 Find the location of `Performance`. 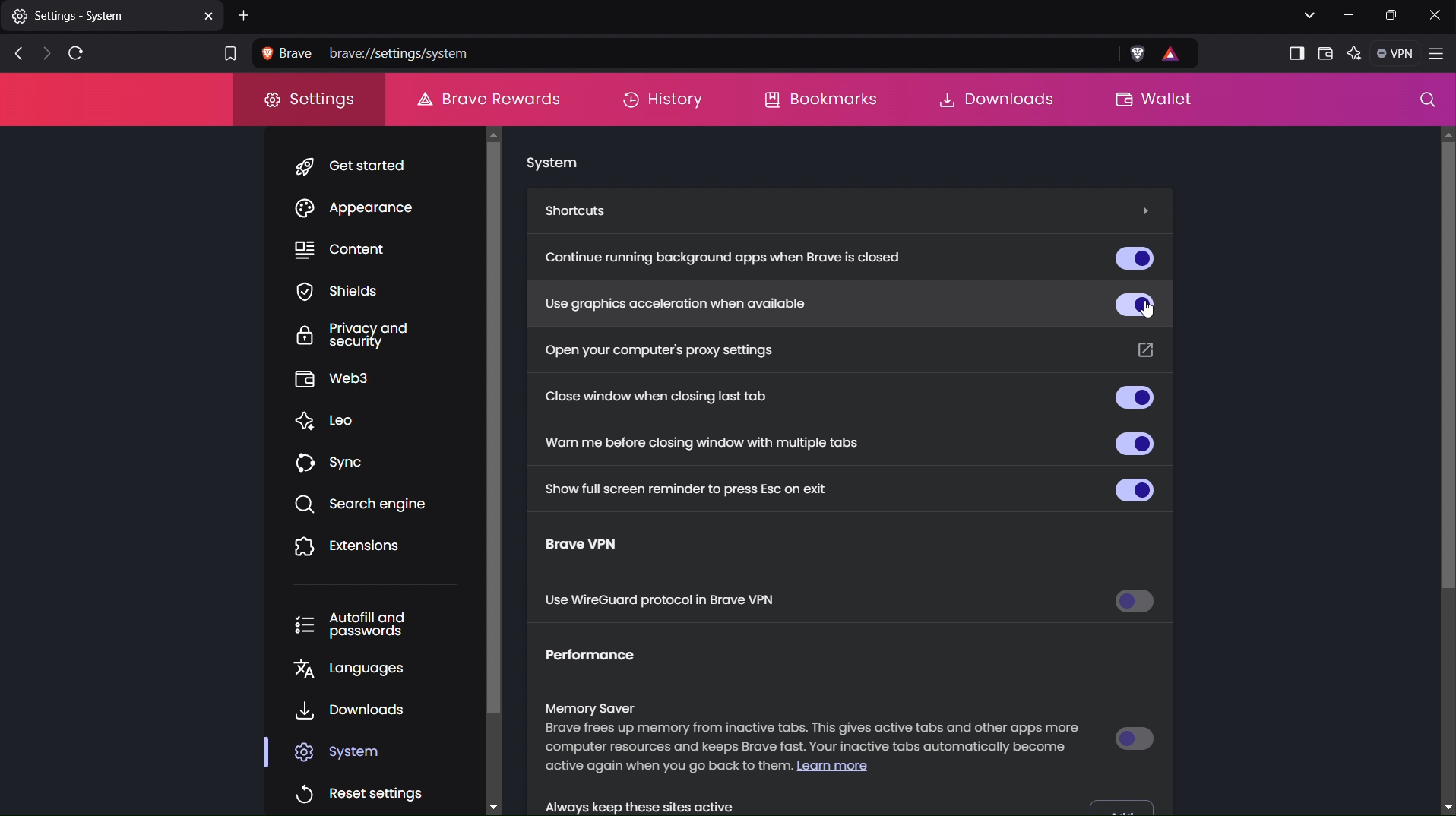

Performance is located at coordinates (603, 660).